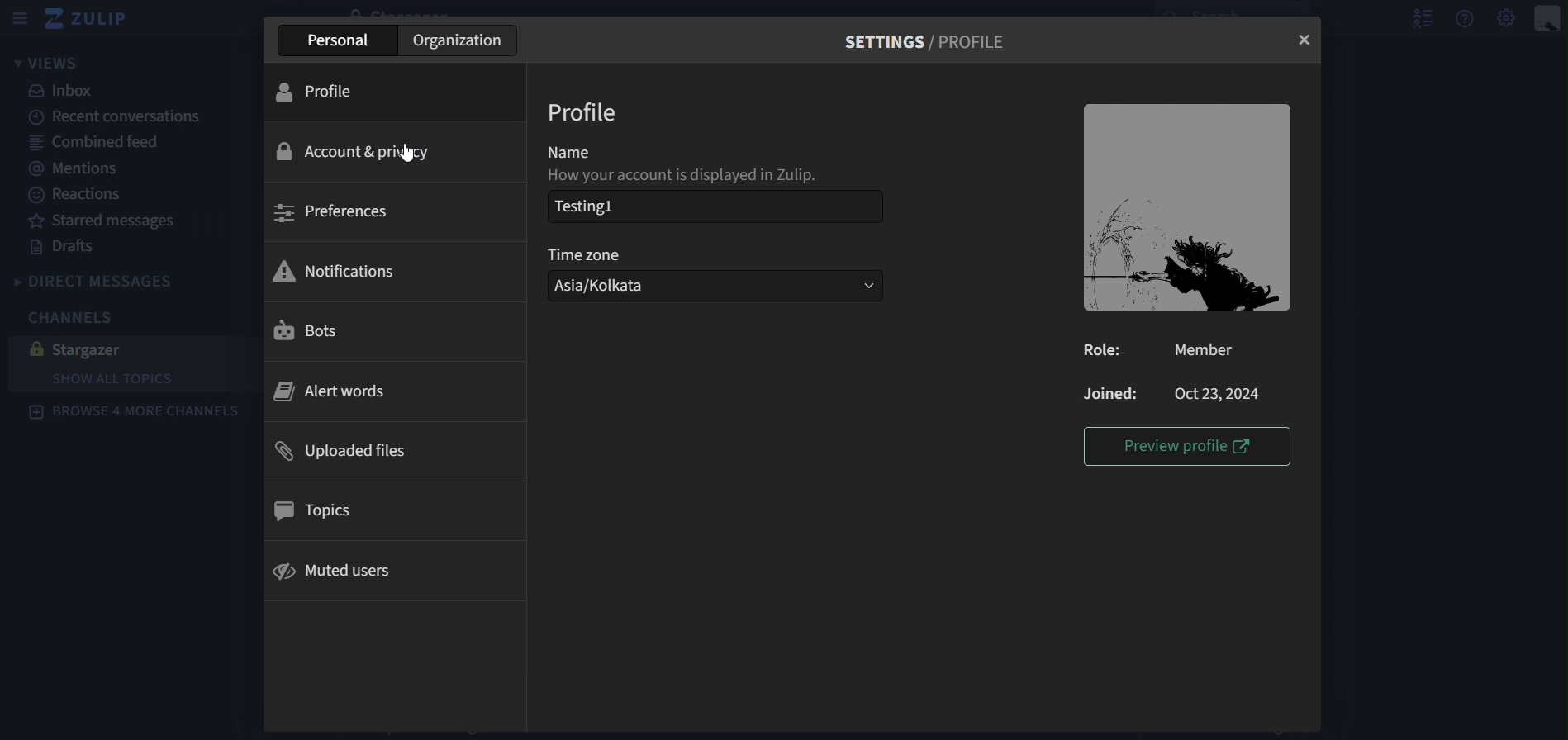  Describe the element at coordinates (1174, 372) in the screenshot. I see `Role: Member Joined: Oct 23,2024` at that location.